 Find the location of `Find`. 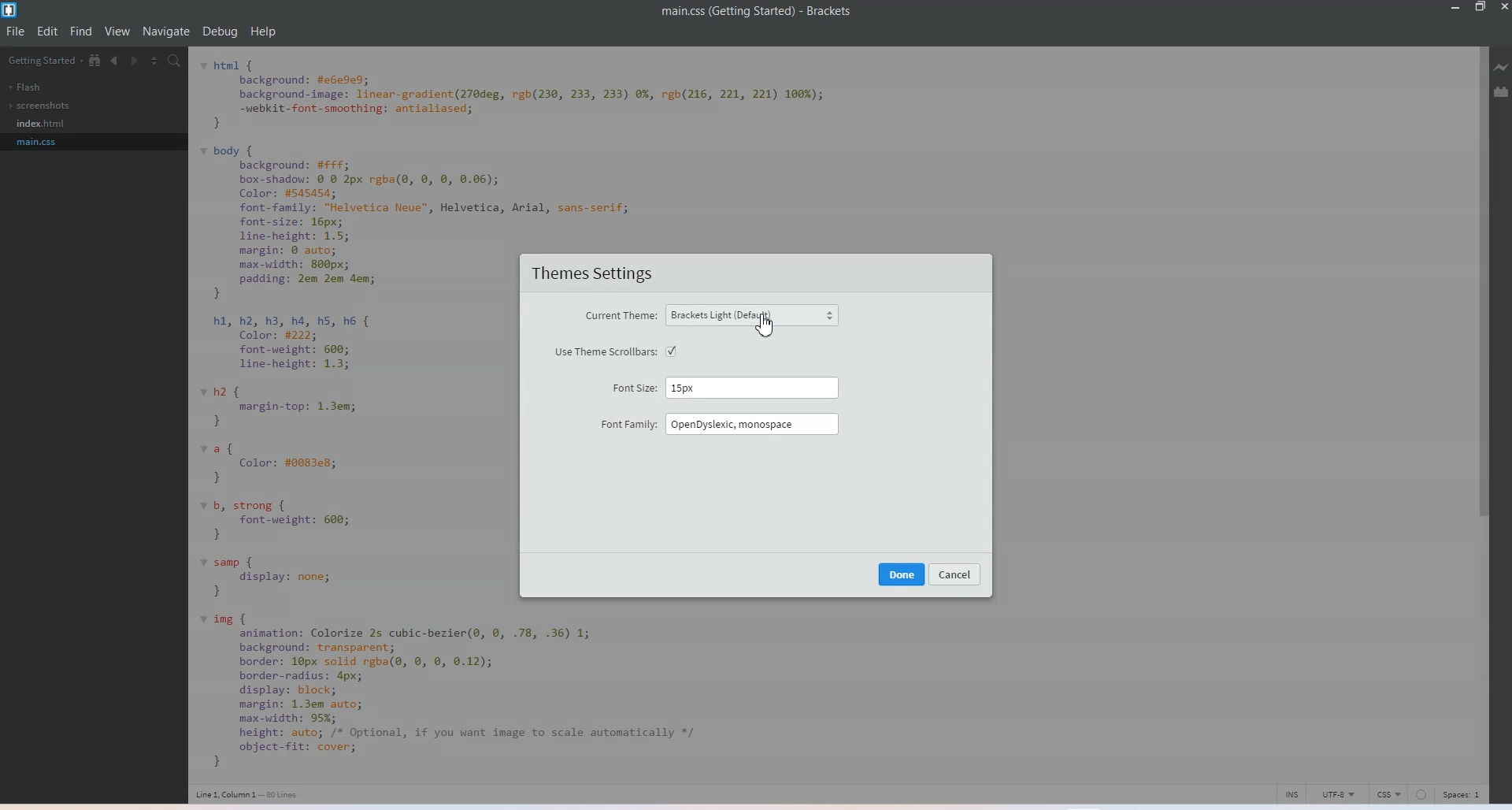

Find is located at coordinates (81, 31).